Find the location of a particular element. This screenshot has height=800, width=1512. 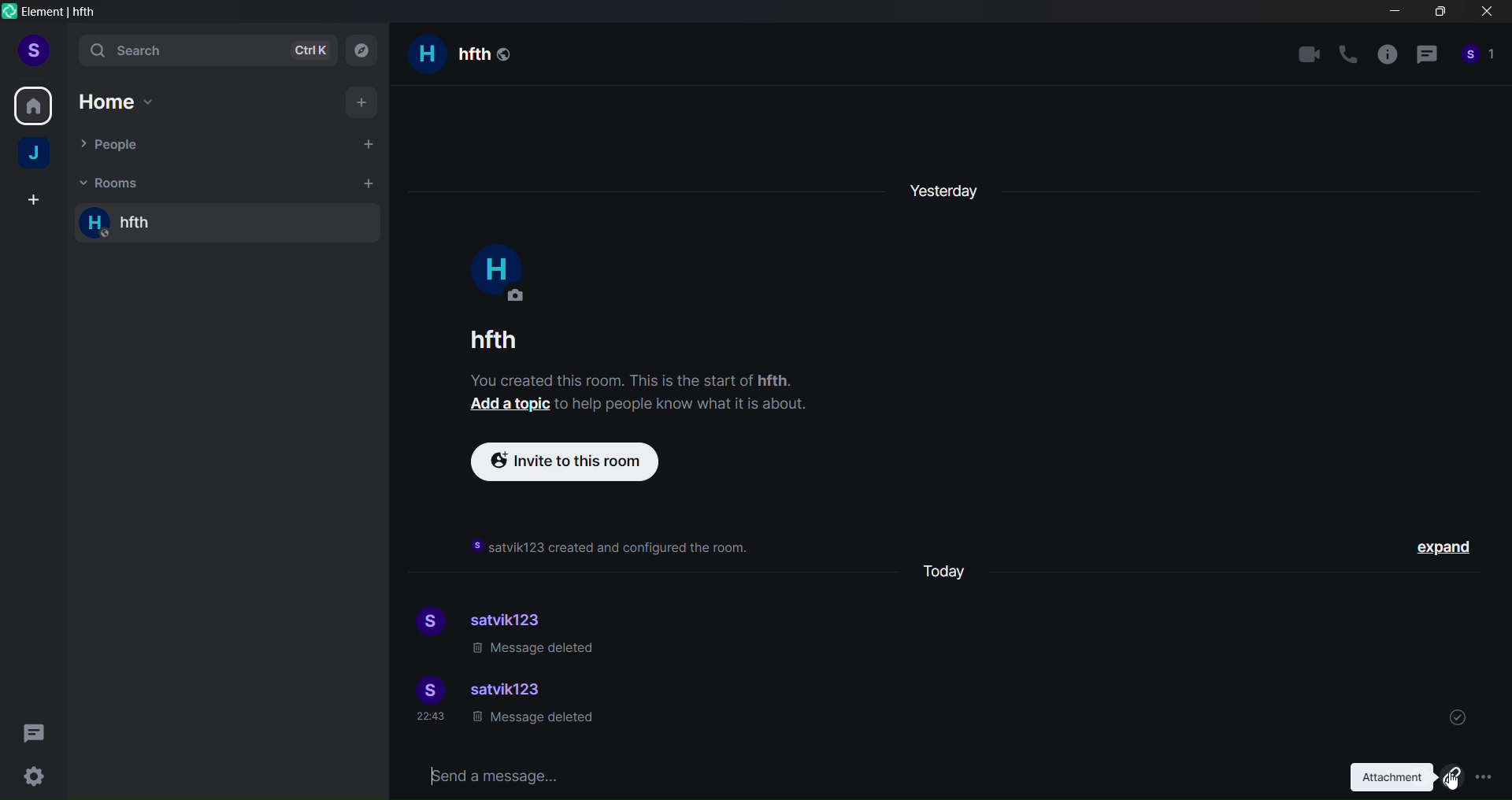

Cursor is located at coordinates (1452, 777).